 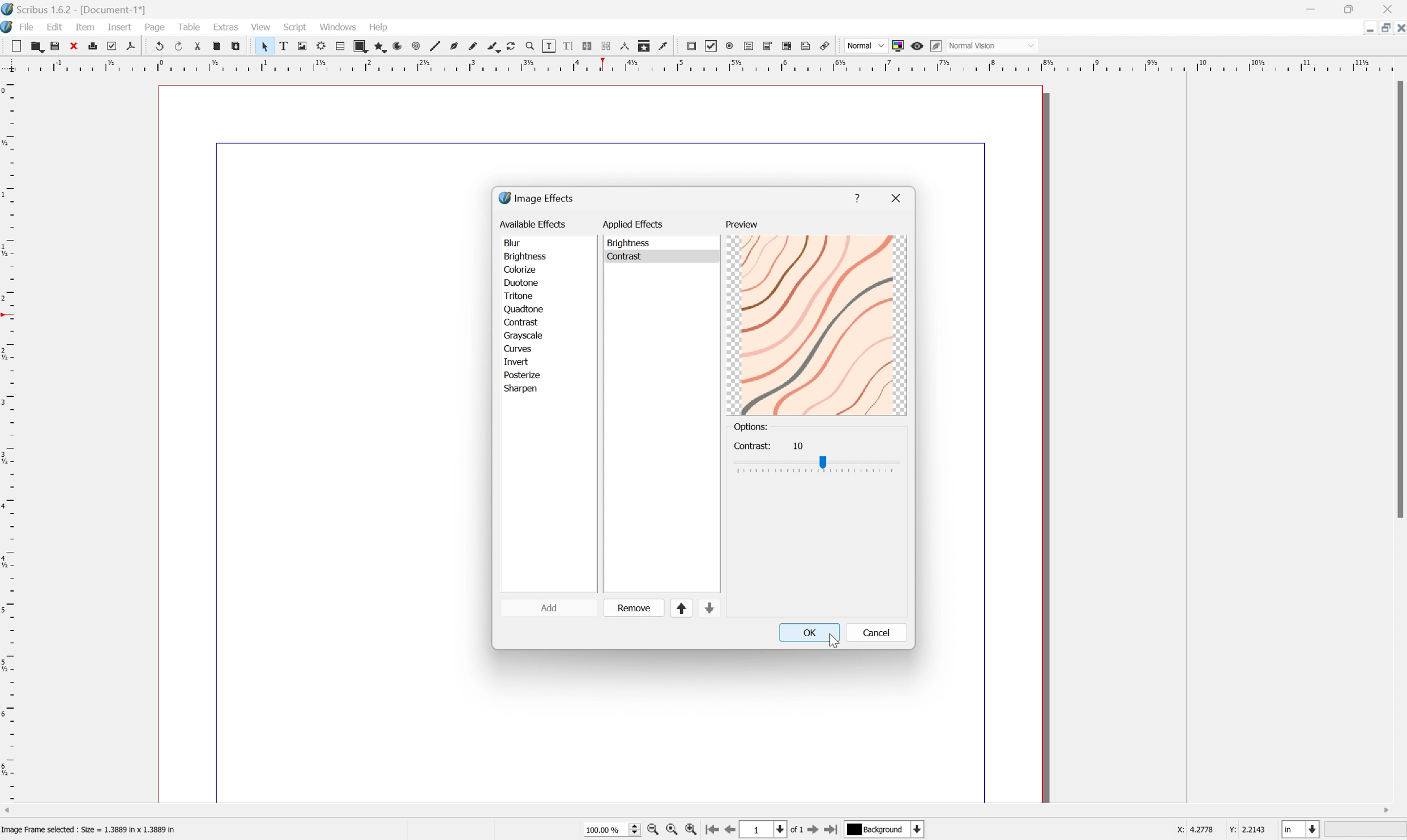 I want to click on Vertical Margin, so click(x=9, y=442).